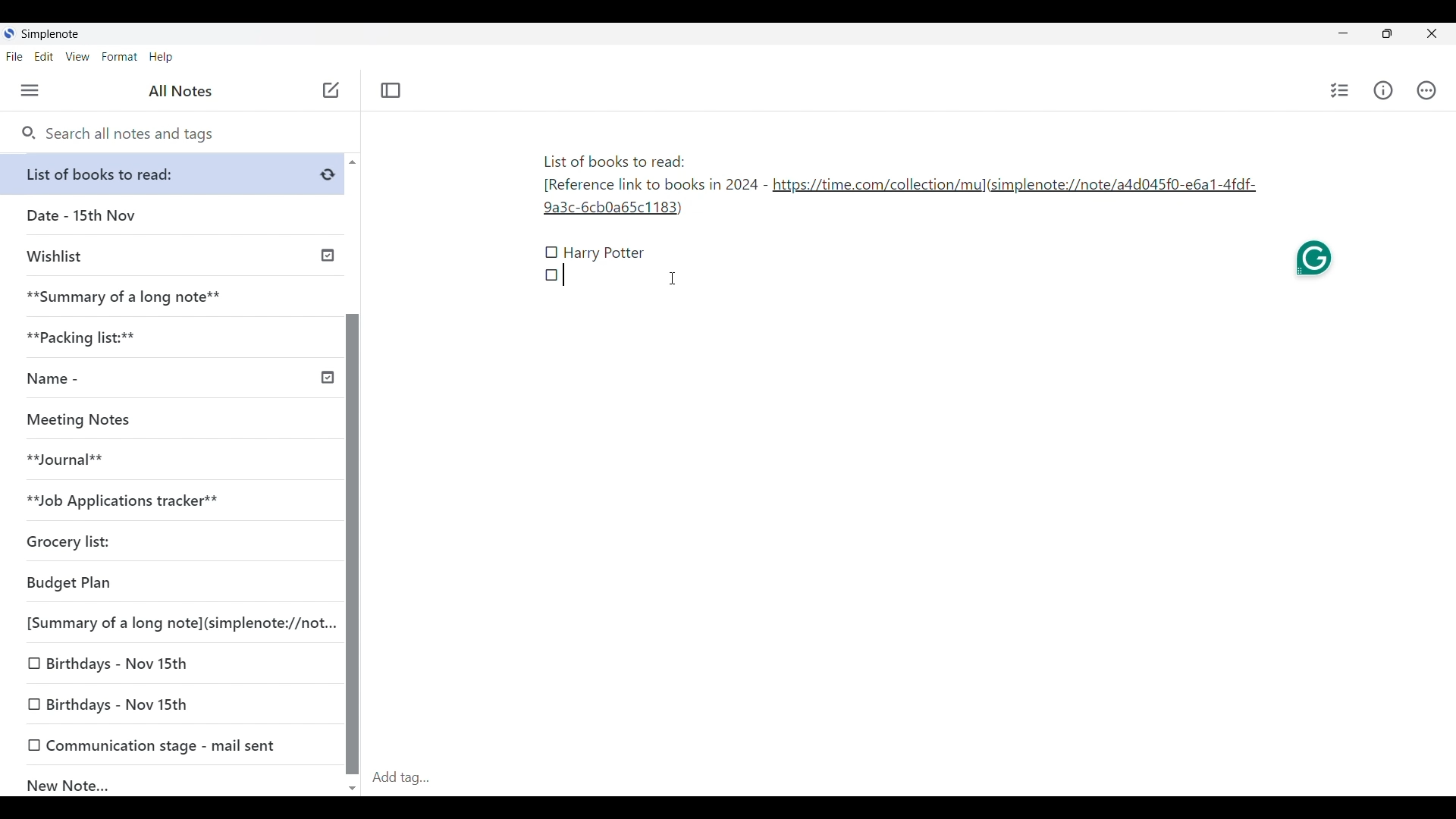  What do you see at coordinates (1426, 90) in the screenshot?
I see `Actions` at bounding box center [1426, 90].